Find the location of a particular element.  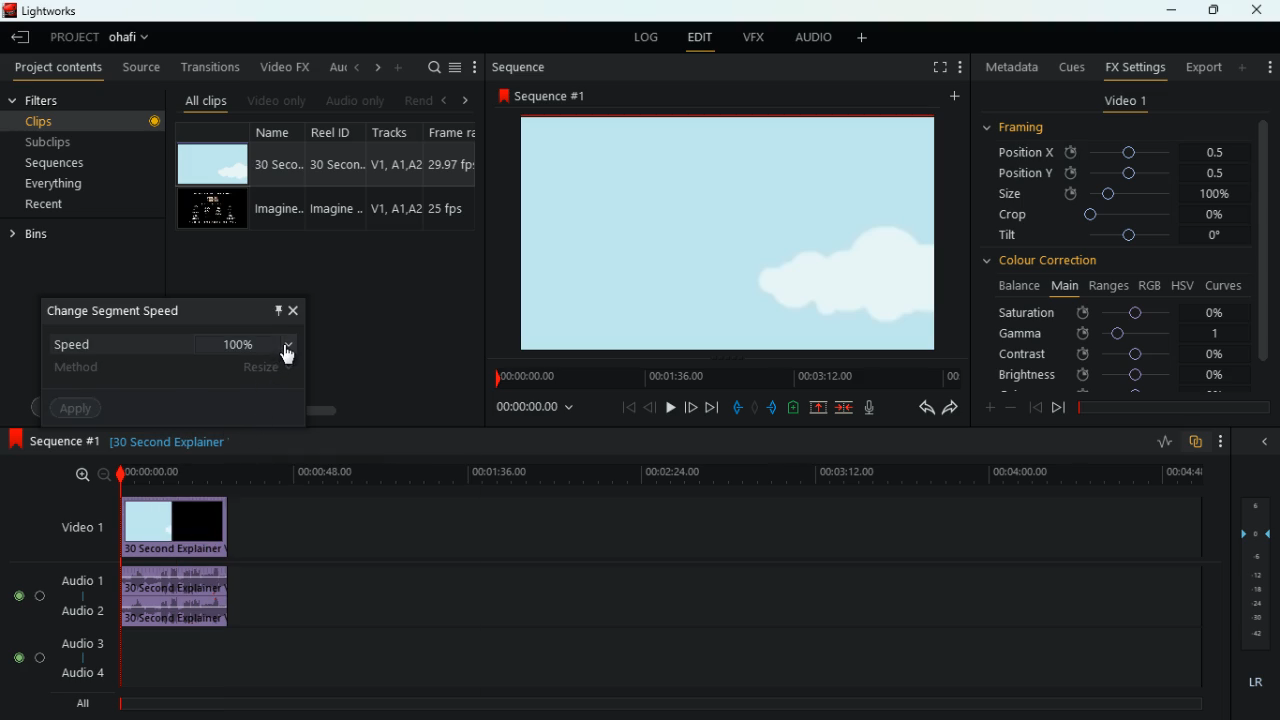

minus is located at coordinates (1011, 407).